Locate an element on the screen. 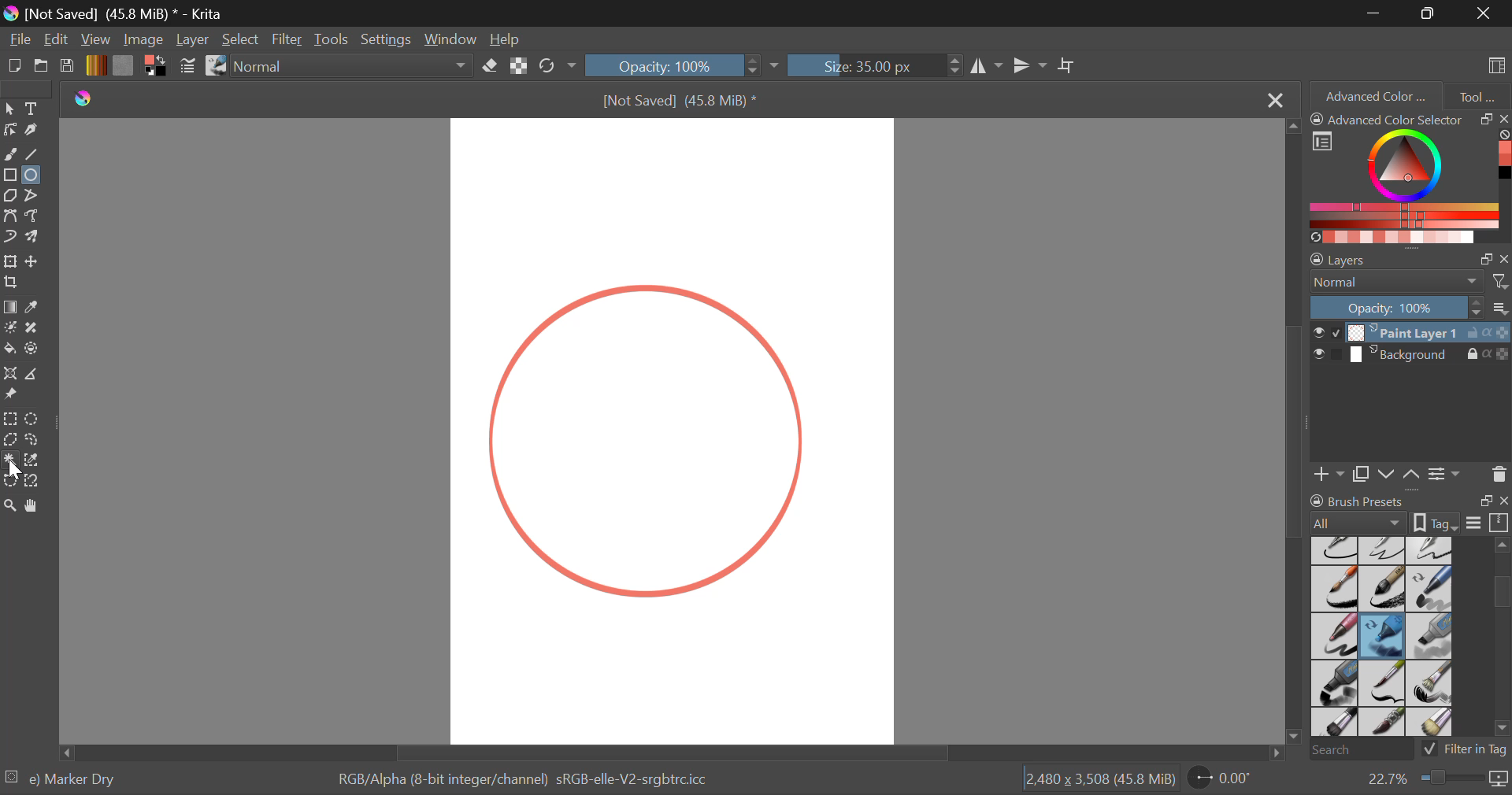  Dynamic Brush Tool is located at coordinates (9, 238).